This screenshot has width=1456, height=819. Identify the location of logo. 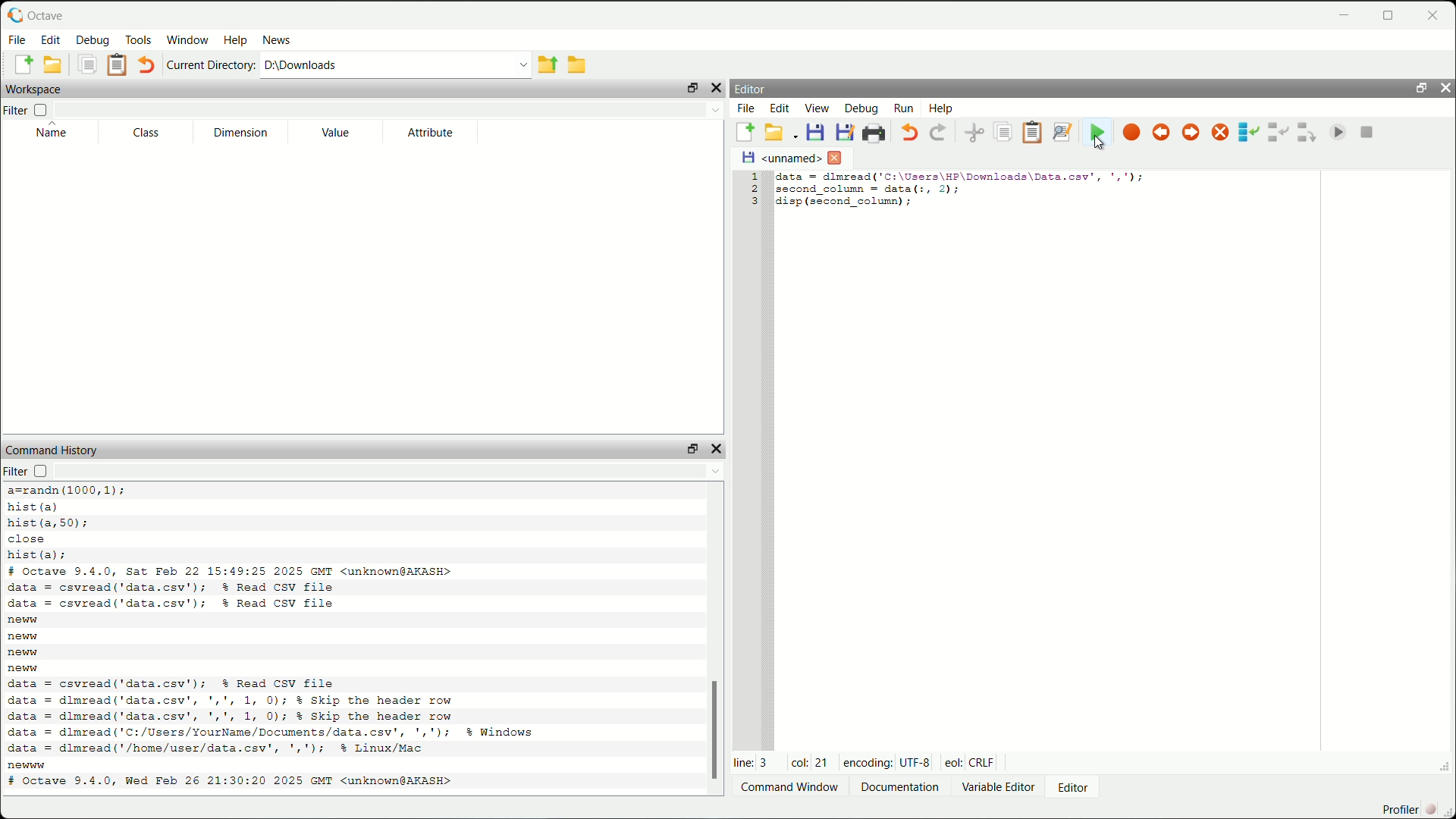
(12, 14).